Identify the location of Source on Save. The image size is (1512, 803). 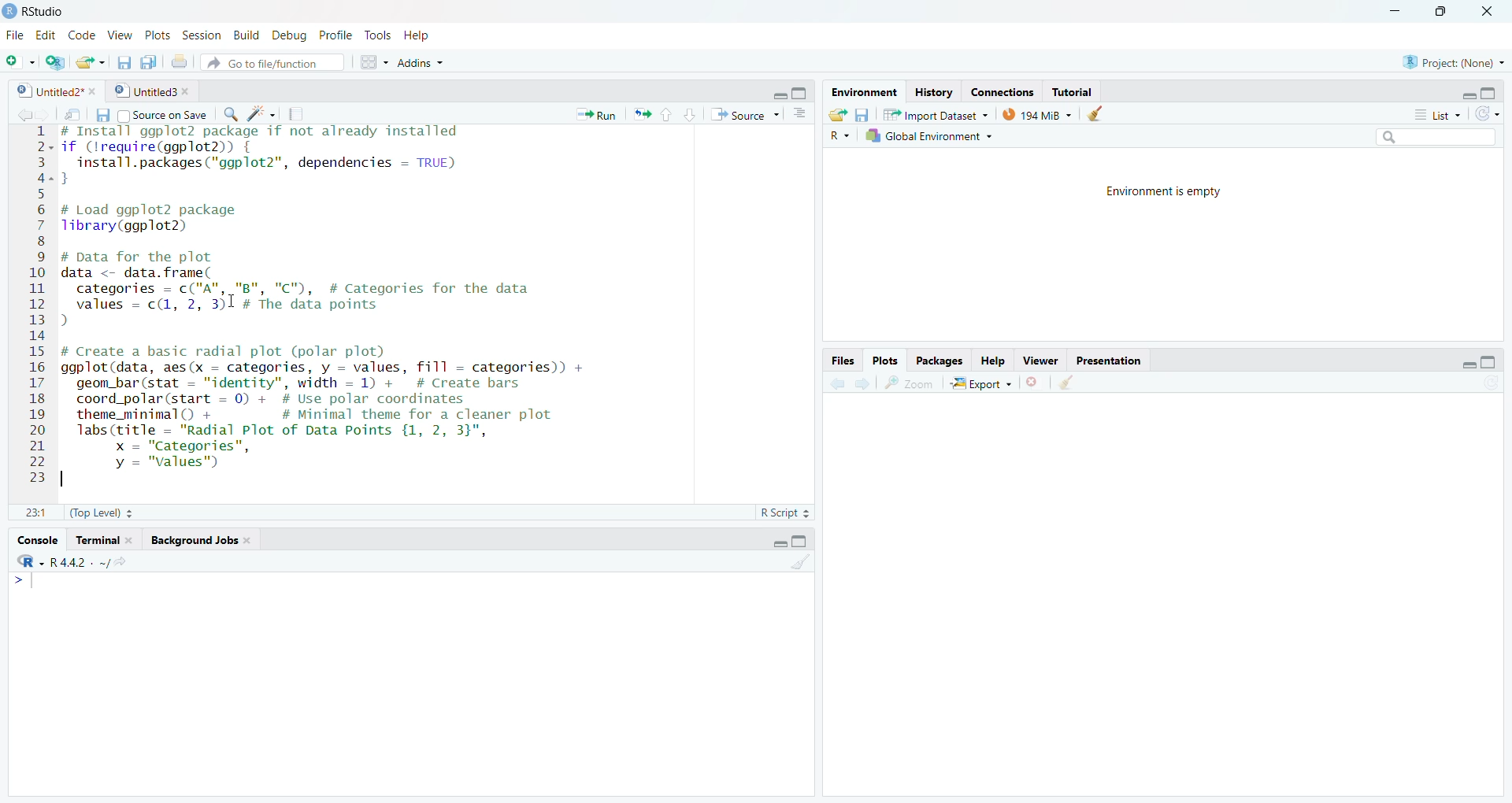
(151, 115).